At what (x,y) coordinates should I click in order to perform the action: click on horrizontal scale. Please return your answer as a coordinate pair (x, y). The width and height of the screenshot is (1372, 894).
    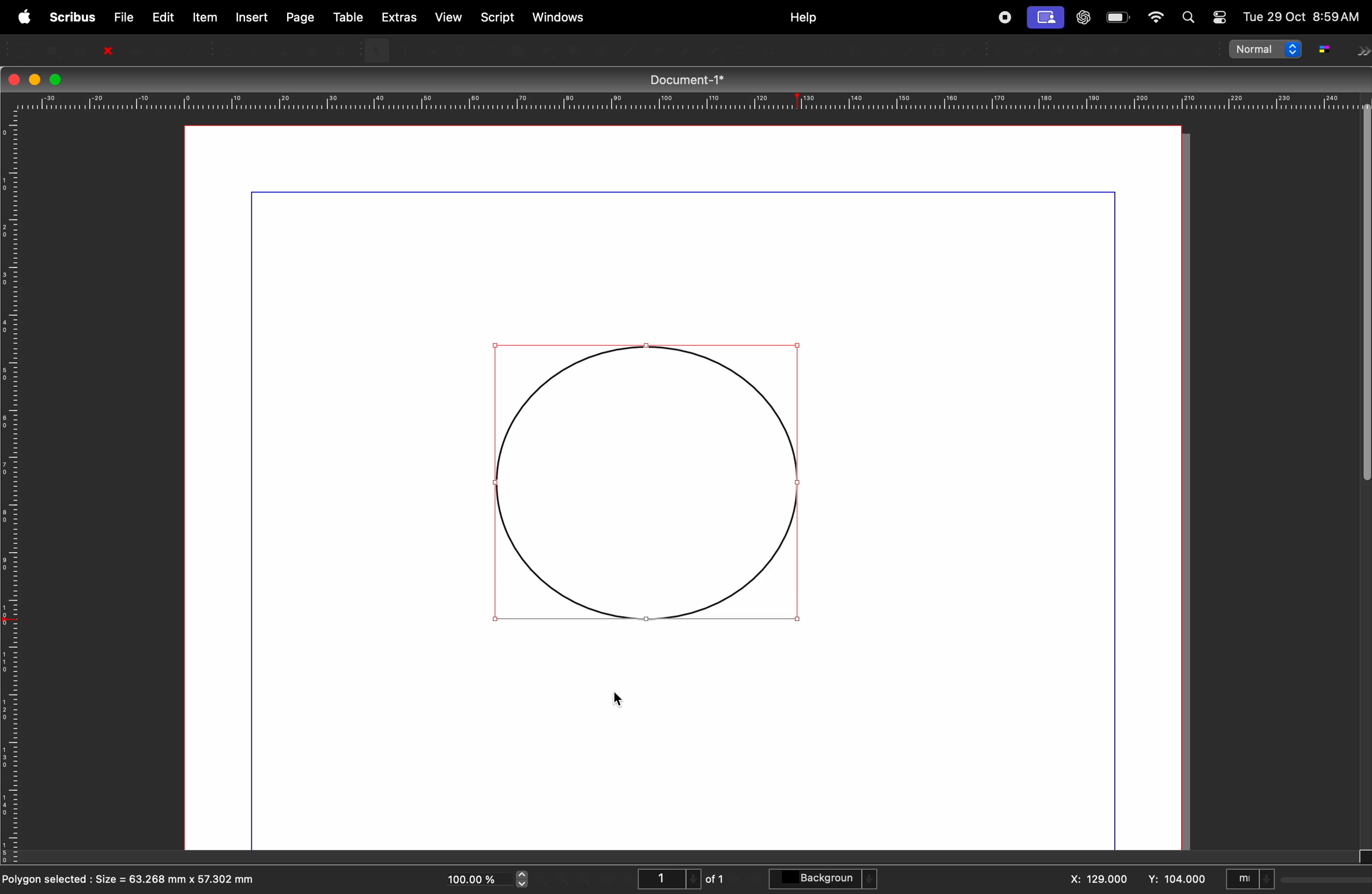
    Looking at the image, I should click on (681, 101).